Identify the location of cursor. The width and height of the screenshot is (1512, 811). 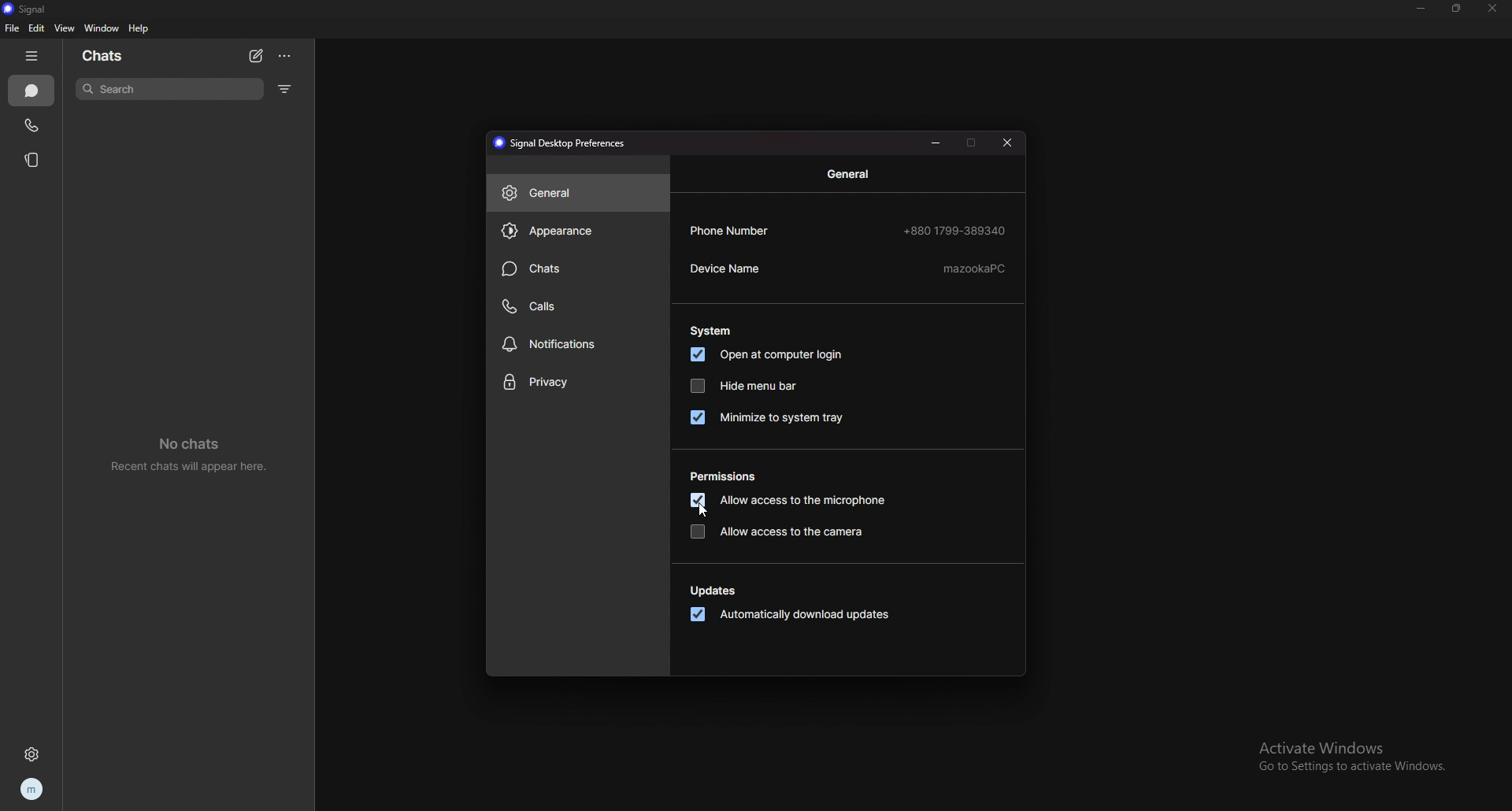
(700, 510).